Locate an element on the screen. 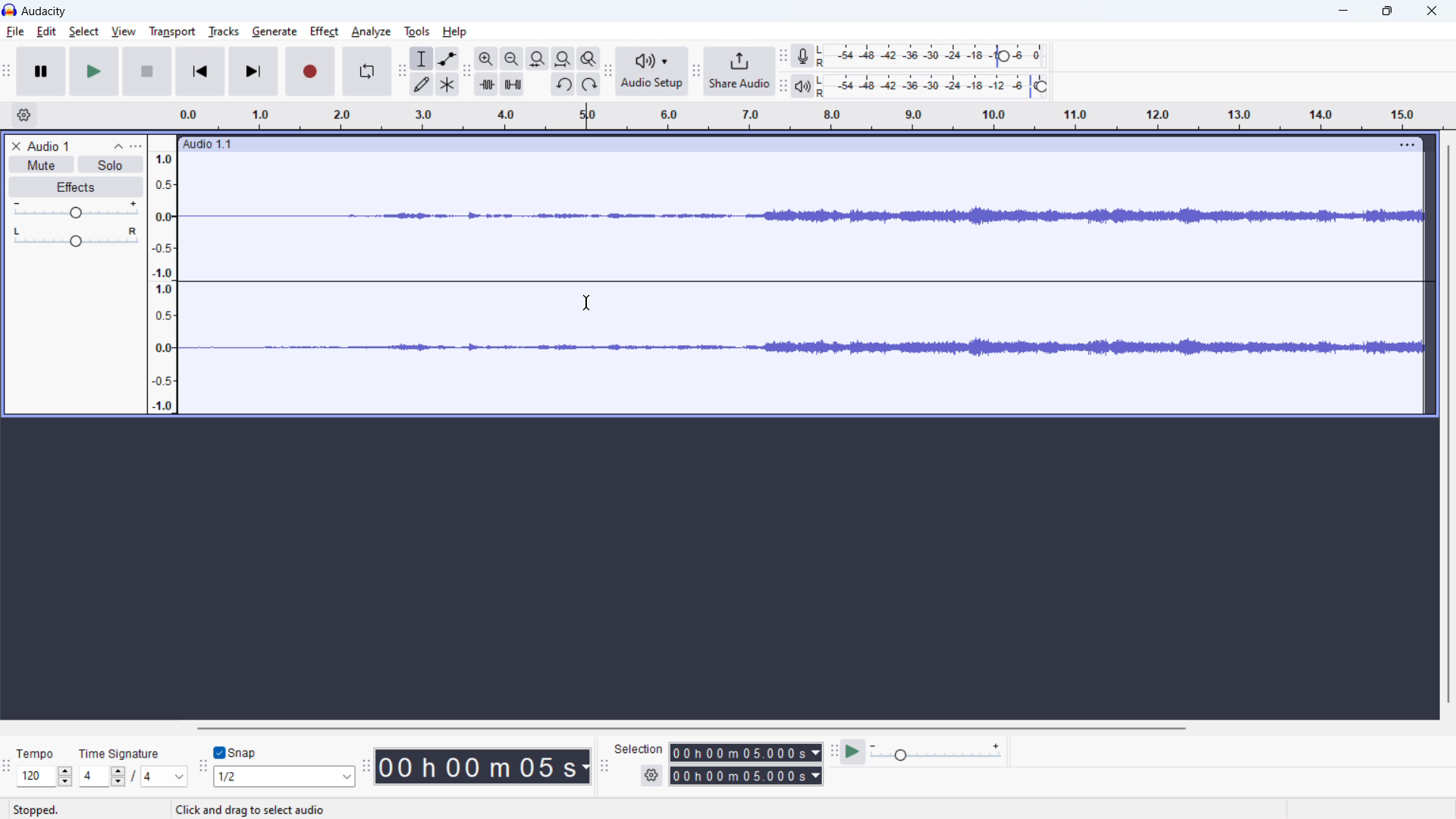 This screenshot has height=819, width=1456. settings is located at coordinates (651, 776).